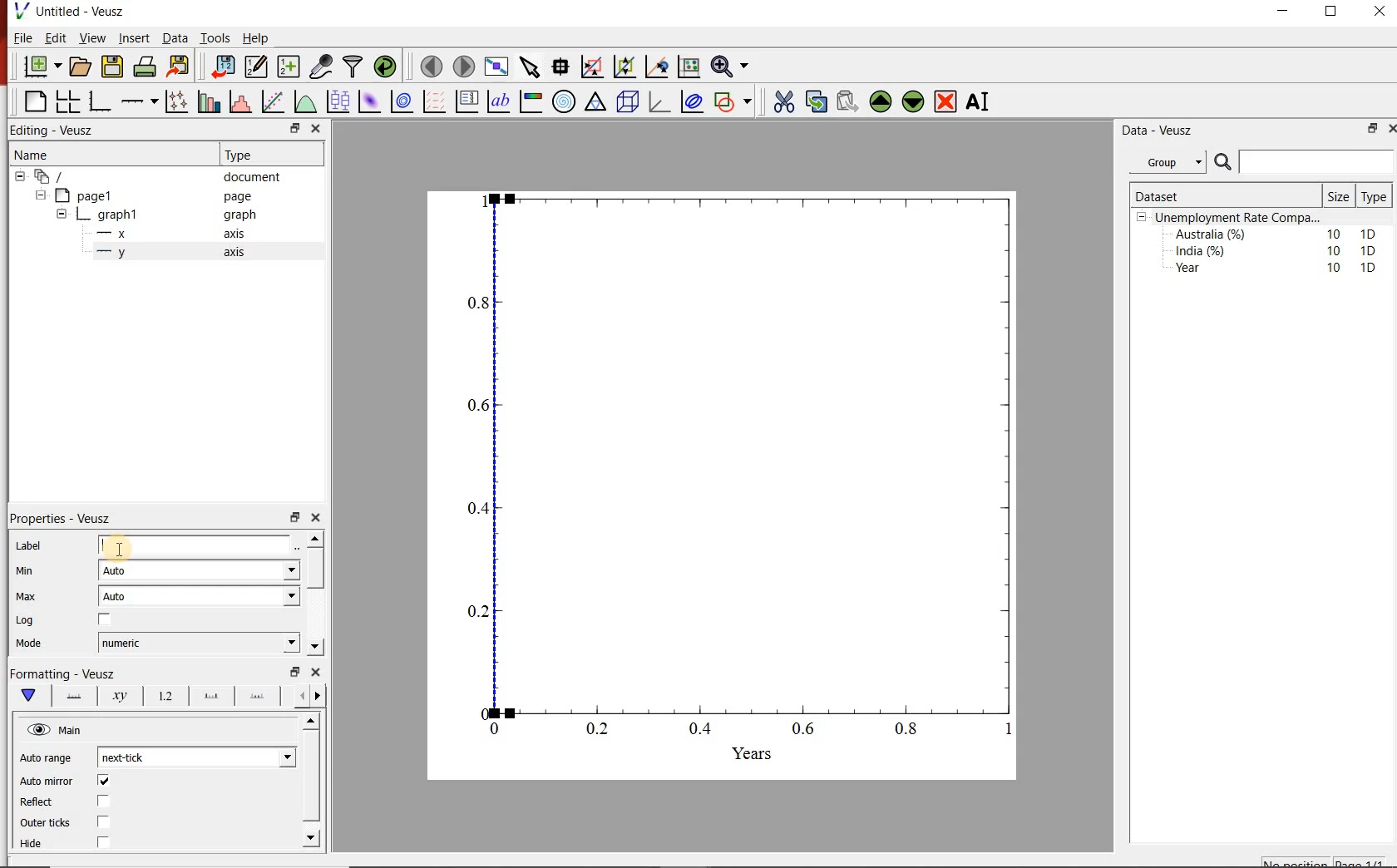 The image size is (1397, 868). Describe the element at coordinates (981, 101) in the screenshot. I see `rename the widgets` at that location.